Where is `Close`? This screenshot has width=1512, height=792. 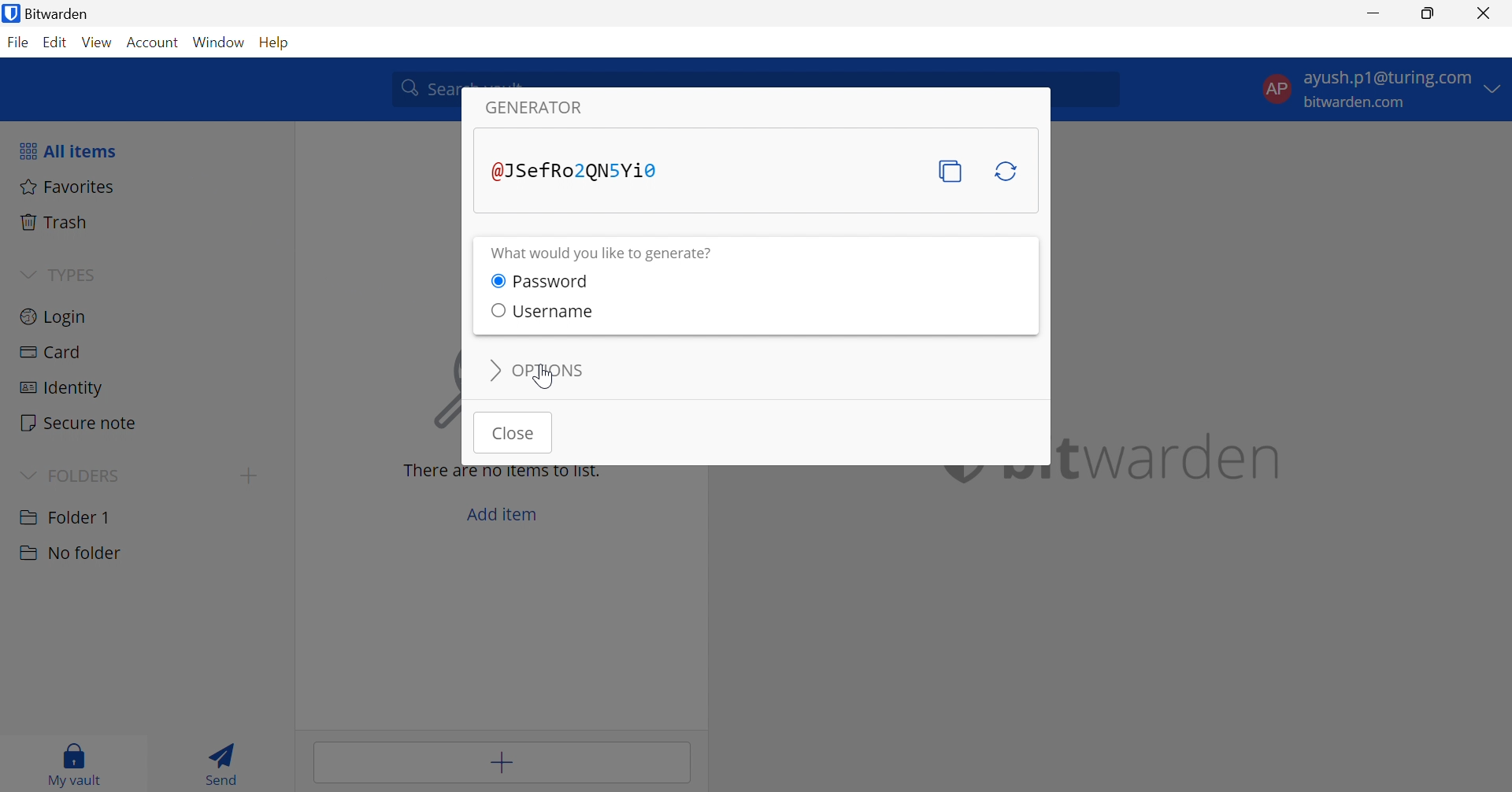
Close is located at coordinates (516, 431).